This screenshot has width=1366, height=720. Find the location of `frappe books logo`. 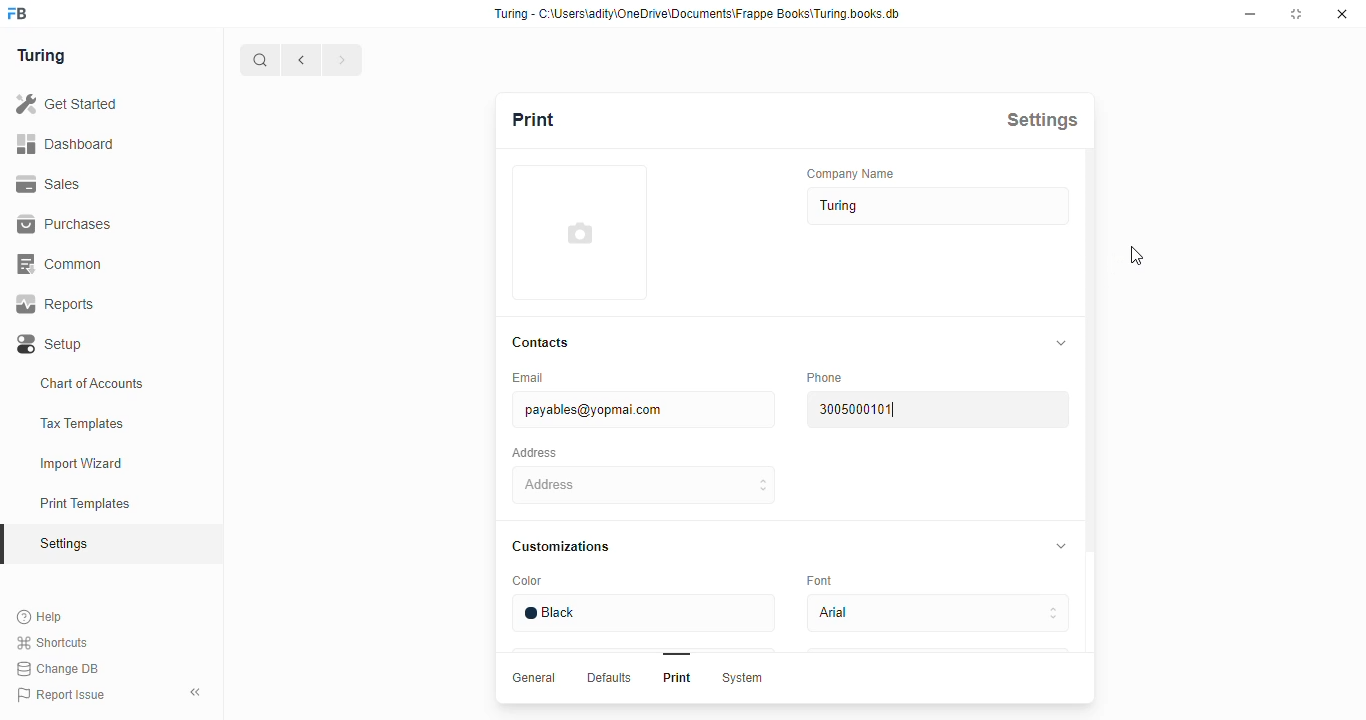

frappe books logo is located at coordinates (25, 15).